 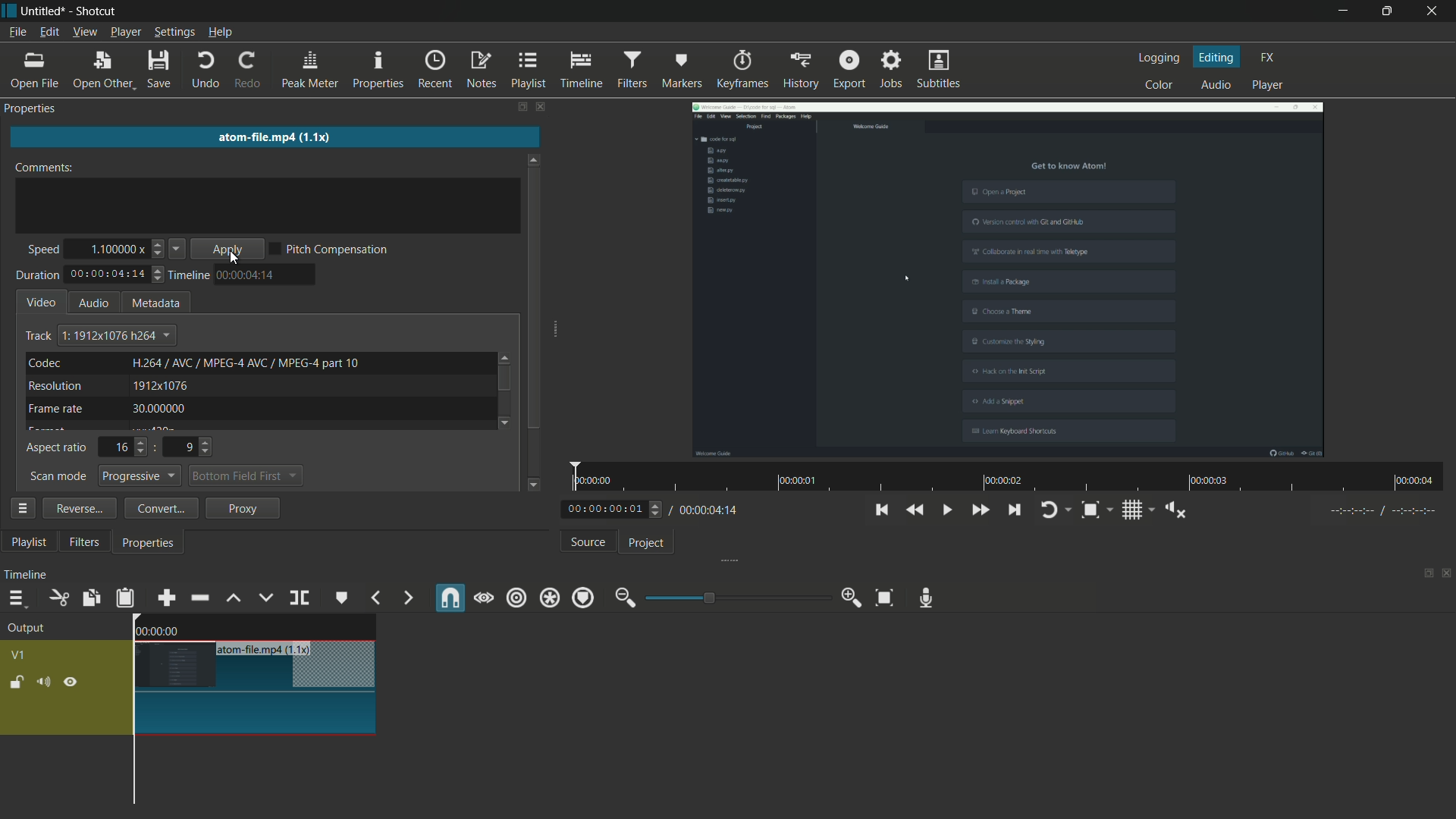 What do you see at coordinates (44, 11) in the screenshot?
I see `project name` at bounding box center [44, 11].